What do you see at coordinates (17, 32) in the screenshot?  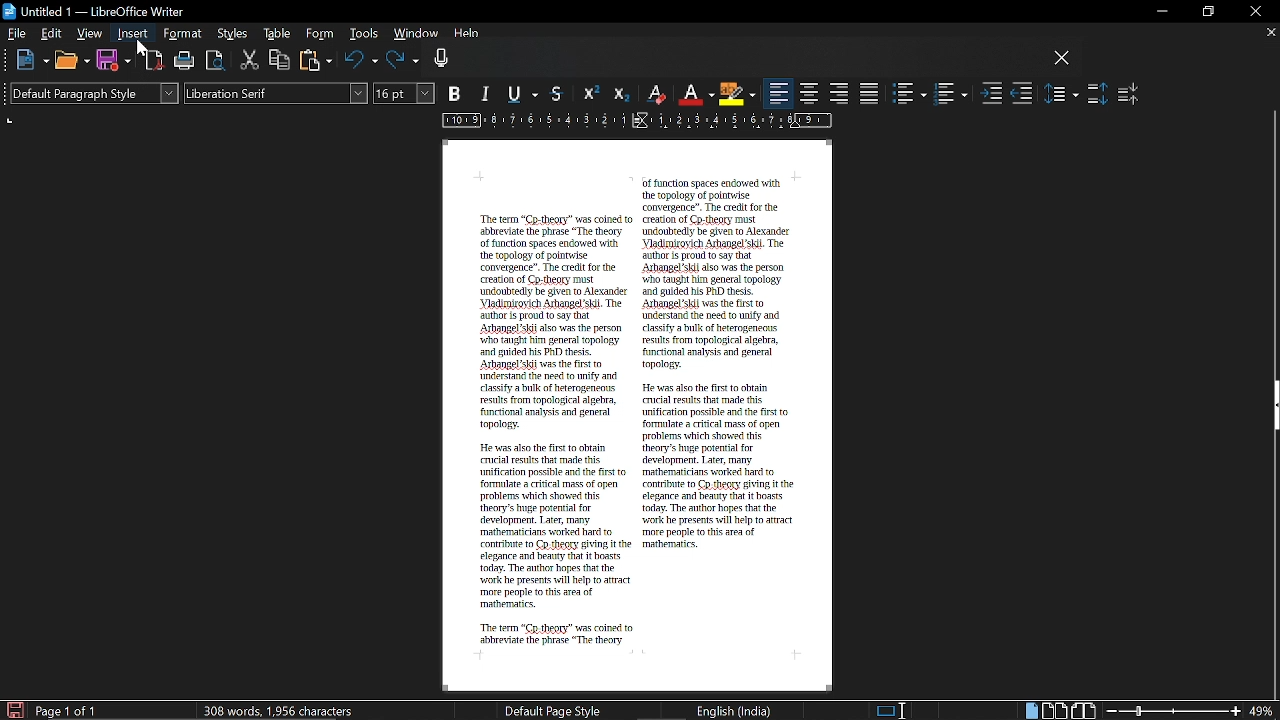 I see `File` at bounding box center [17, 32].